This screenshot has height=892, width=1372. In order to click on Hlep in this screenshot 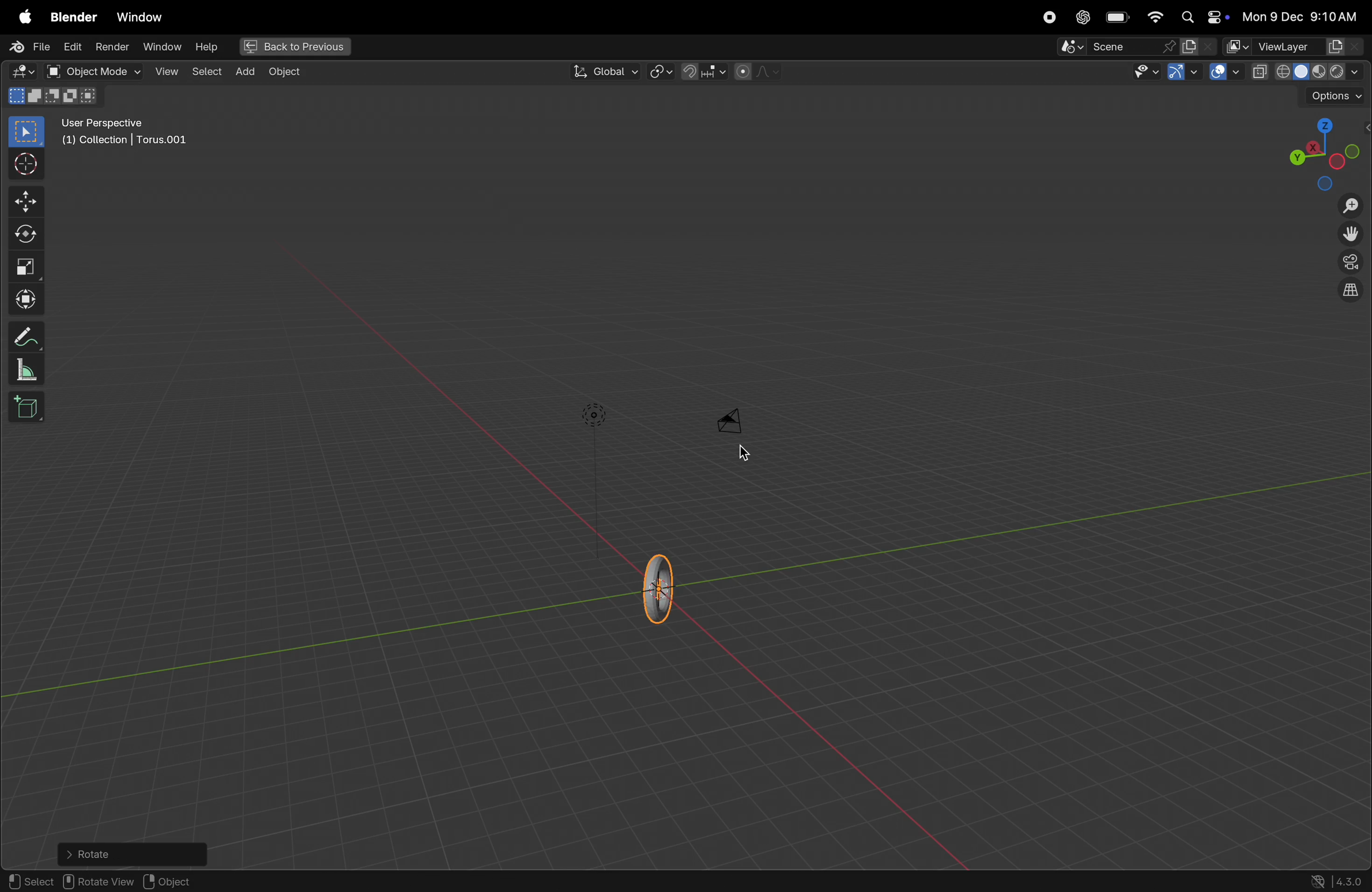, I will do `click(205, 47)`.